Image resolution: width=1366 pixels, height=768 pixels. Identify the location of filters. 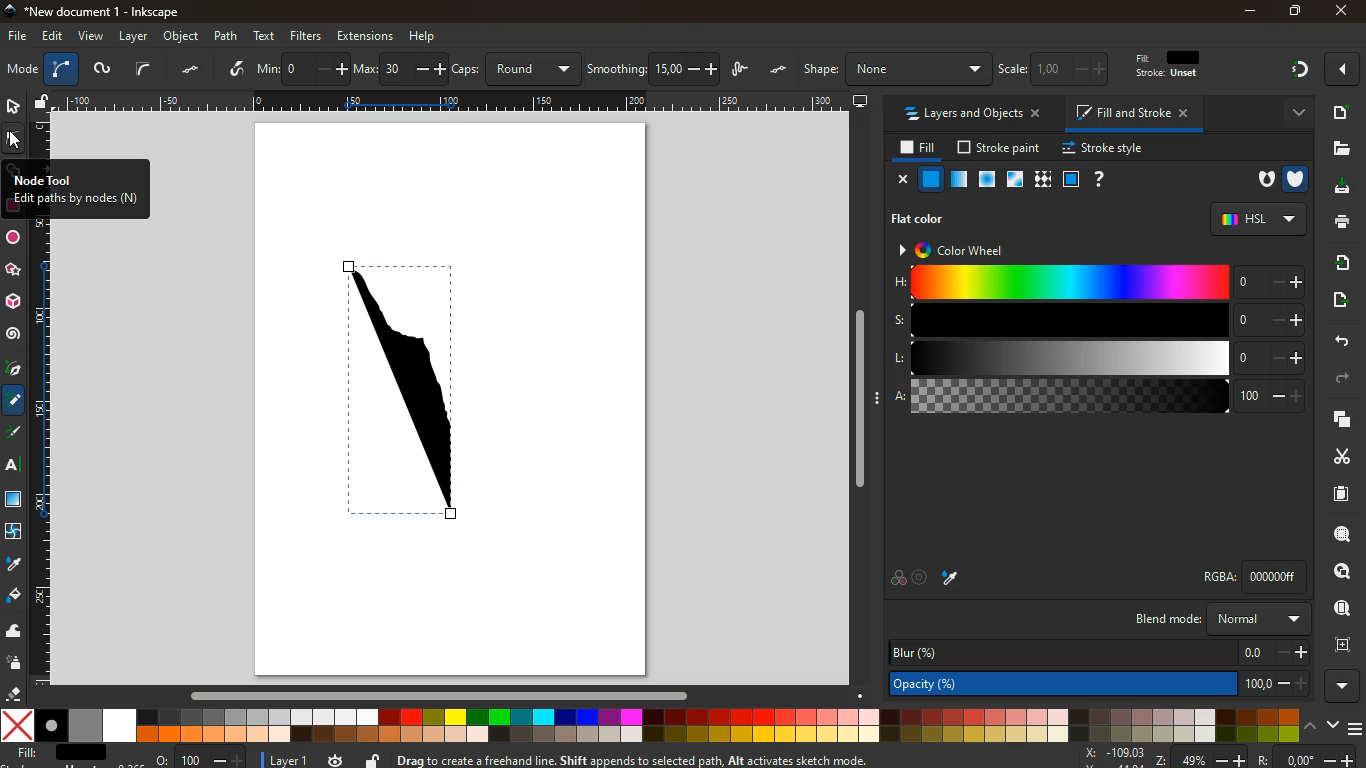
(309, 36).